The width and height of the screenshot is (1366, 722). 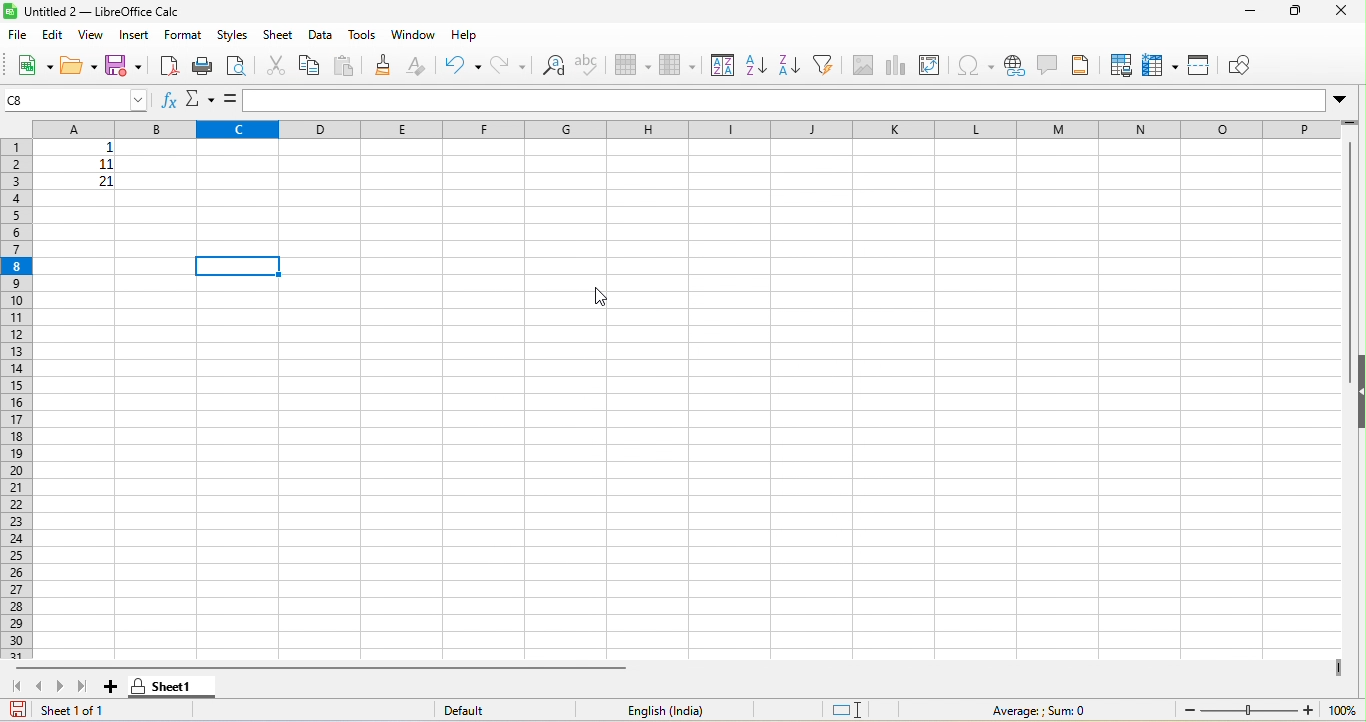 I want to click on comments, so click(x=1059, y=64).